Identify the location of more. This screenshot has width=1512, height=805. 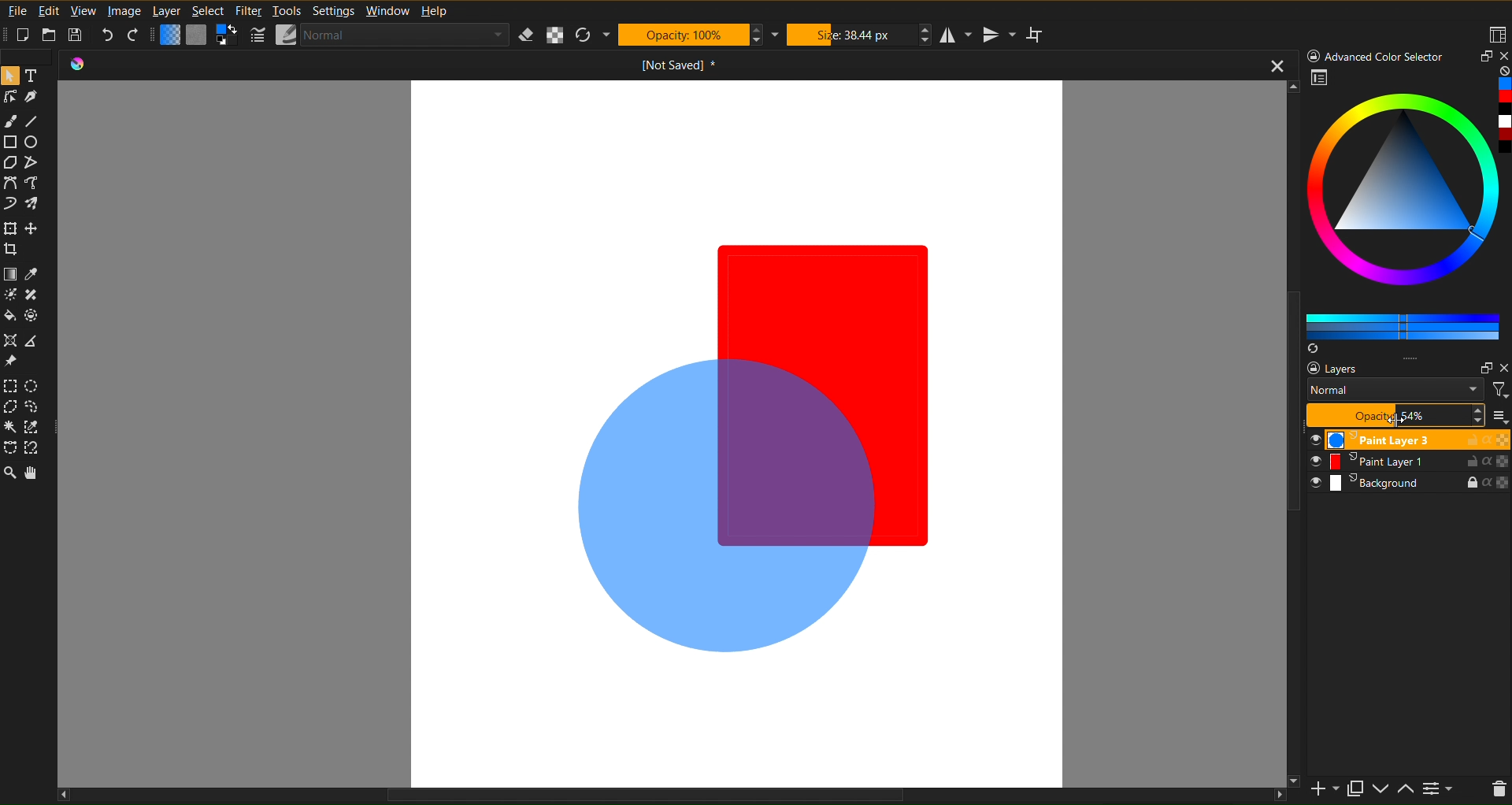
(1500, 417).